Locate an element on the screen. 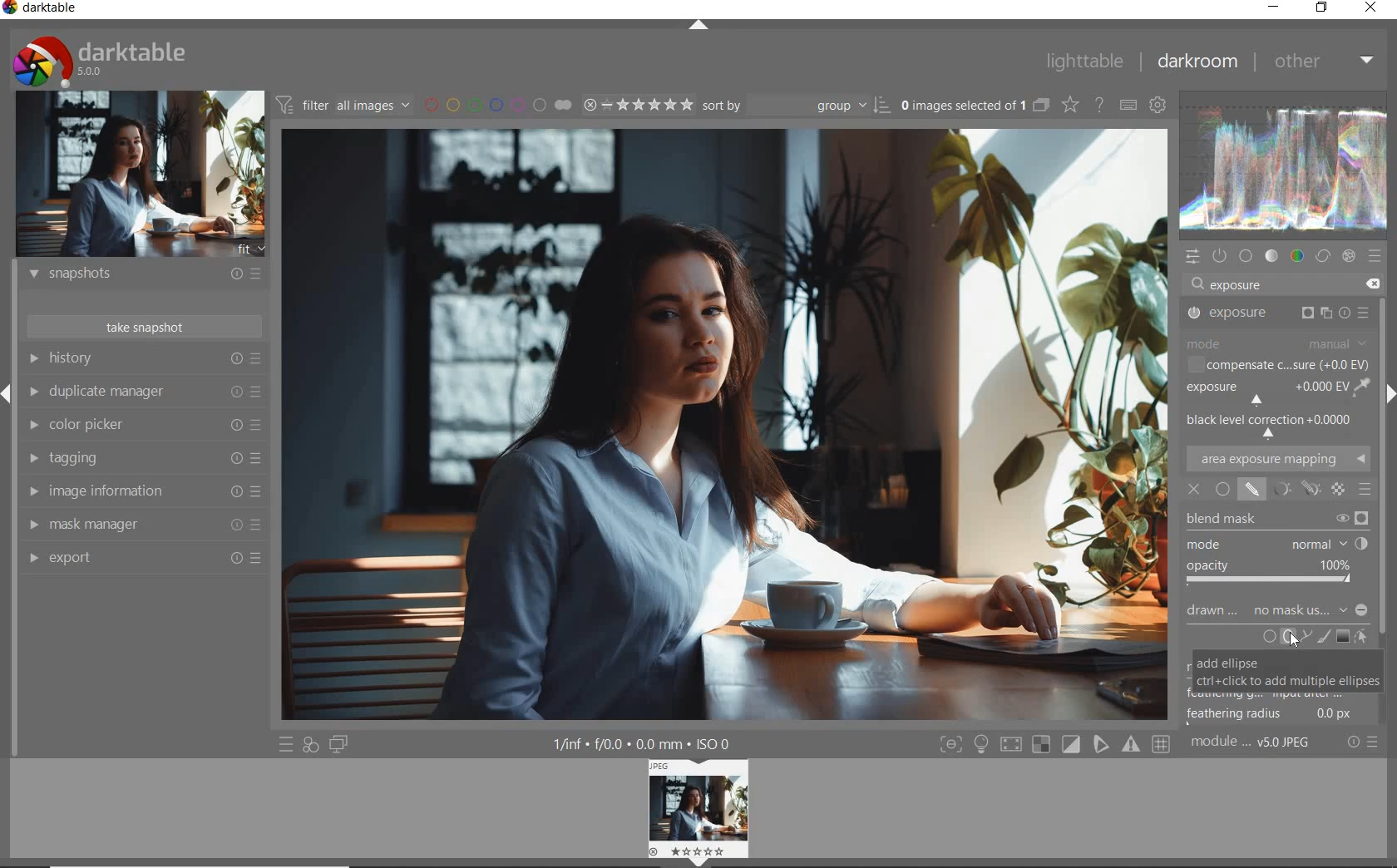  duplicate manager is located at coordinates (146, 392).